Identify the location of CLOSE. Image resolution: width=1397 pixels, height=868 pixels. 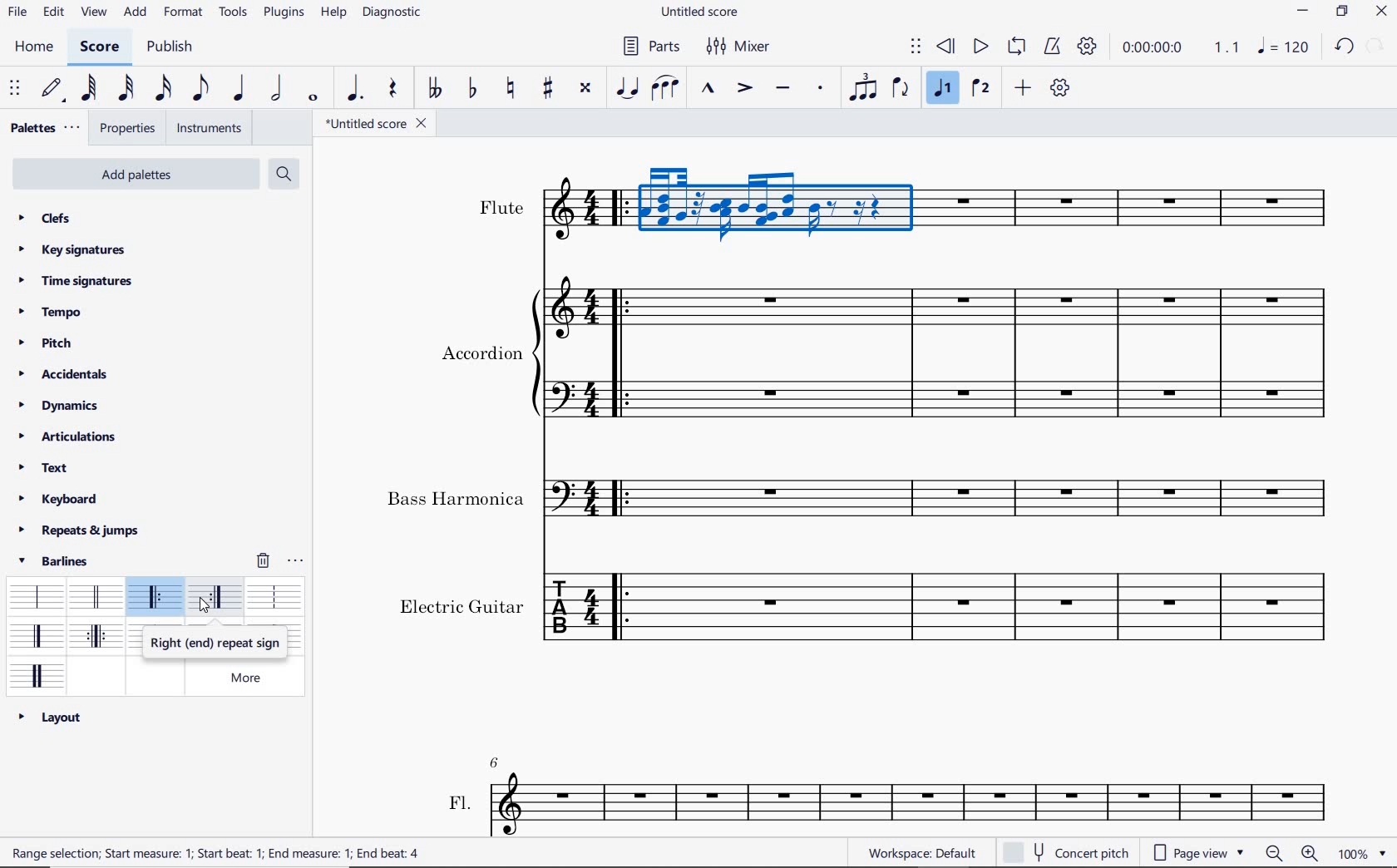
(1382, 11).